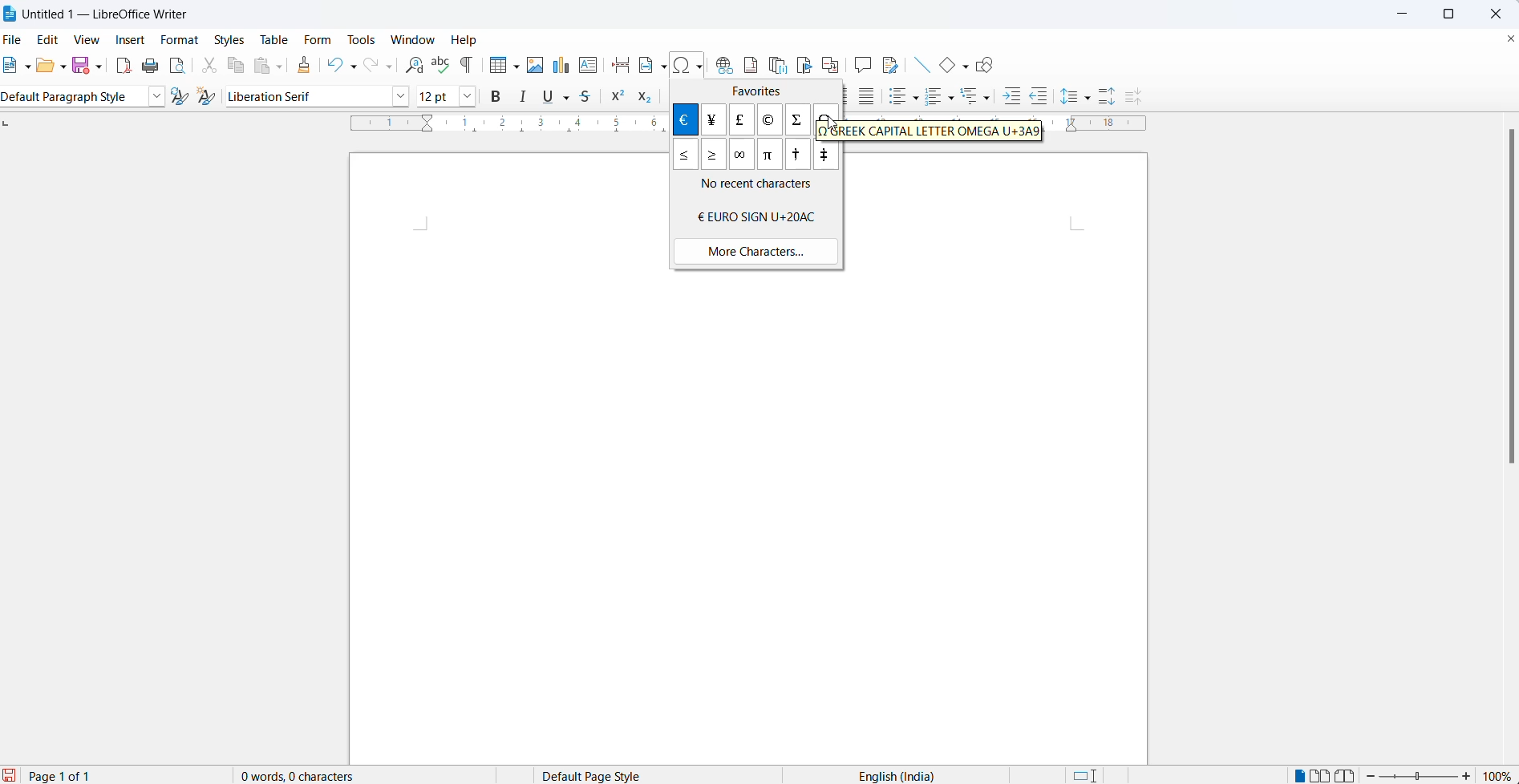 The height and width of the screenshot is (784, 1519). What do you see at coordinates (401, 96) in the screenshot?
I see `font name options` at bounding box center [401, 96].